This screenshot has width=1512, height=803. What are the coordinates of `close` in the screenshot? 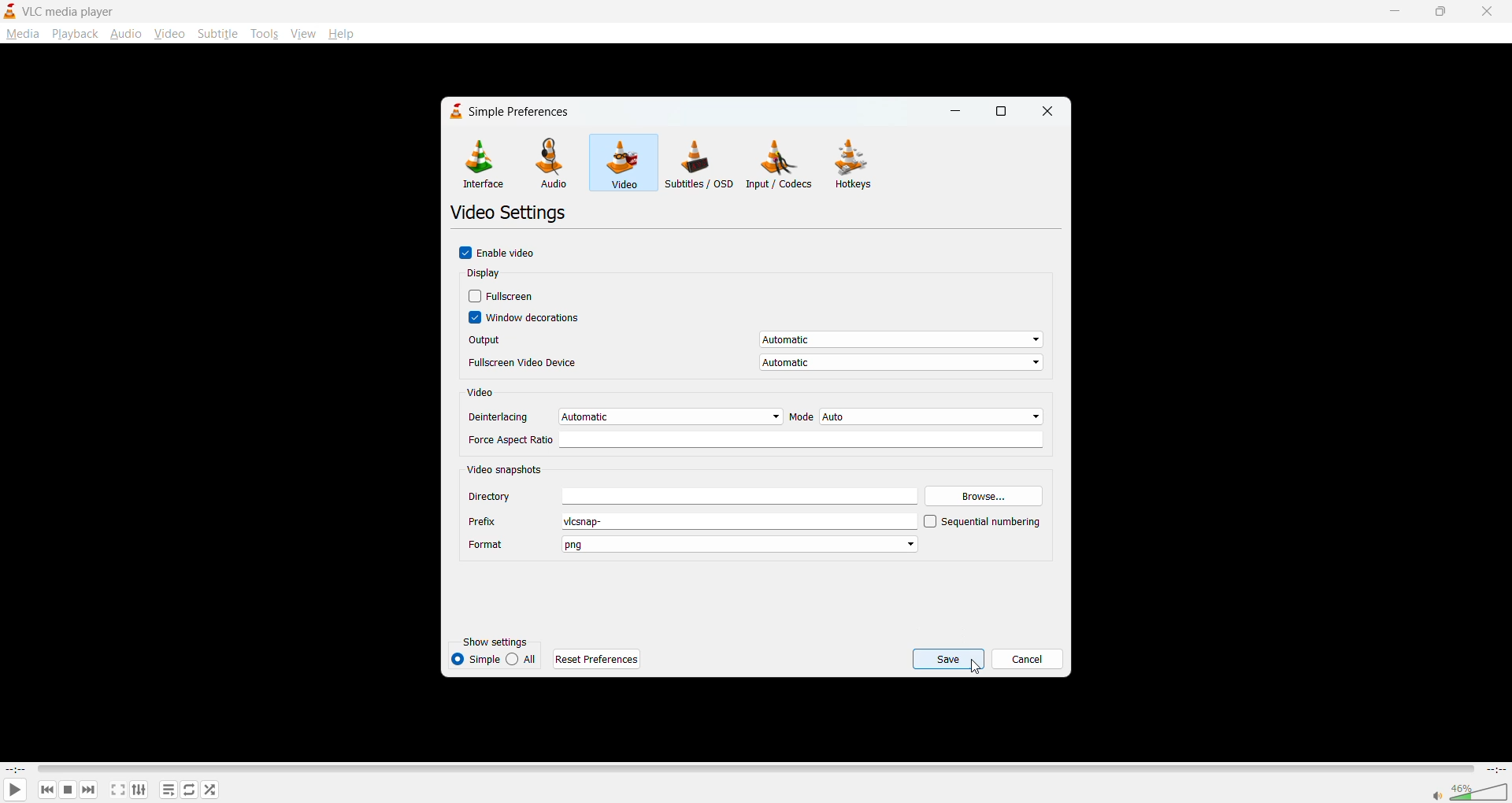 It's located at (1048, 112).